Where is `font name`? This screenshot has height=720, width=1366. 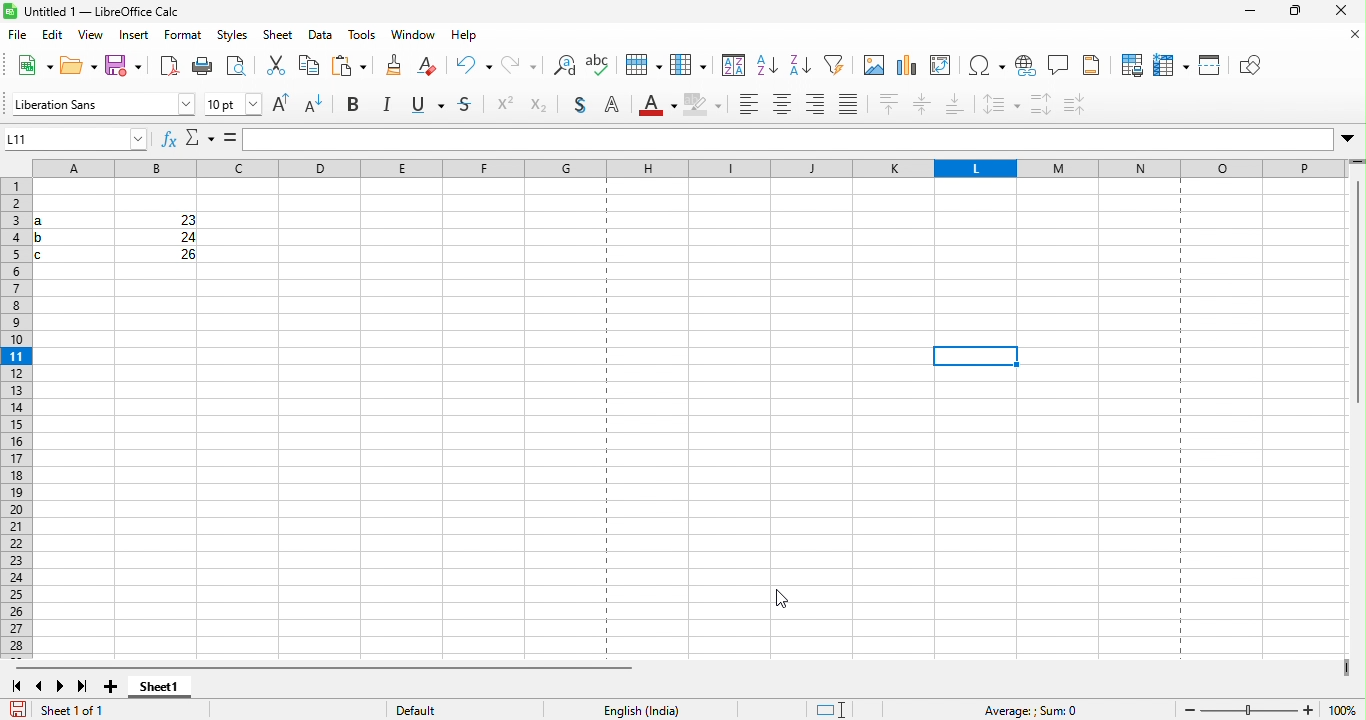
font name is located at coordinates (102, 104).